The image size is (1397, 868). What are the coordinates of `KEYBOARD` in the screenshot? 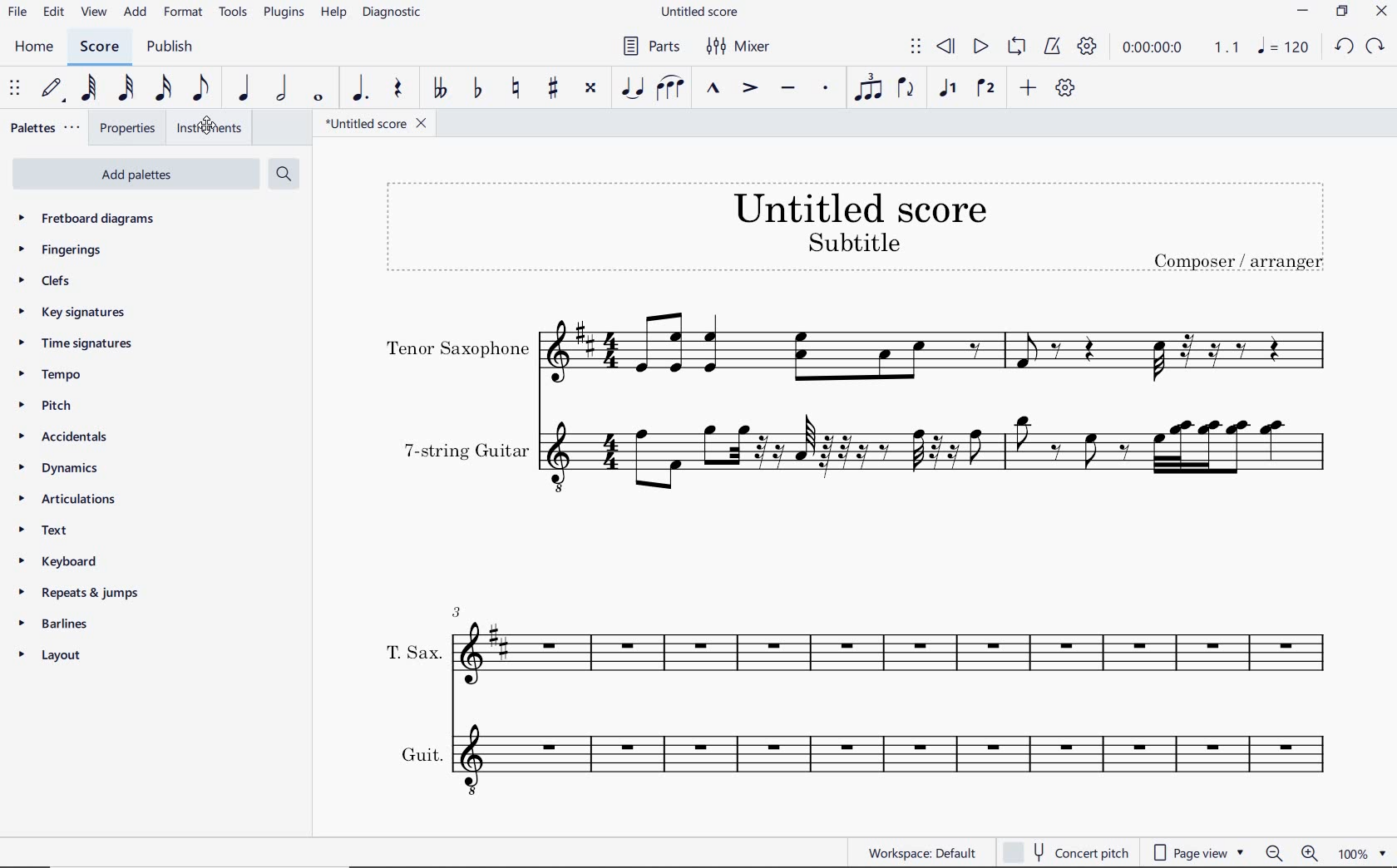 It's located at (56, 561).